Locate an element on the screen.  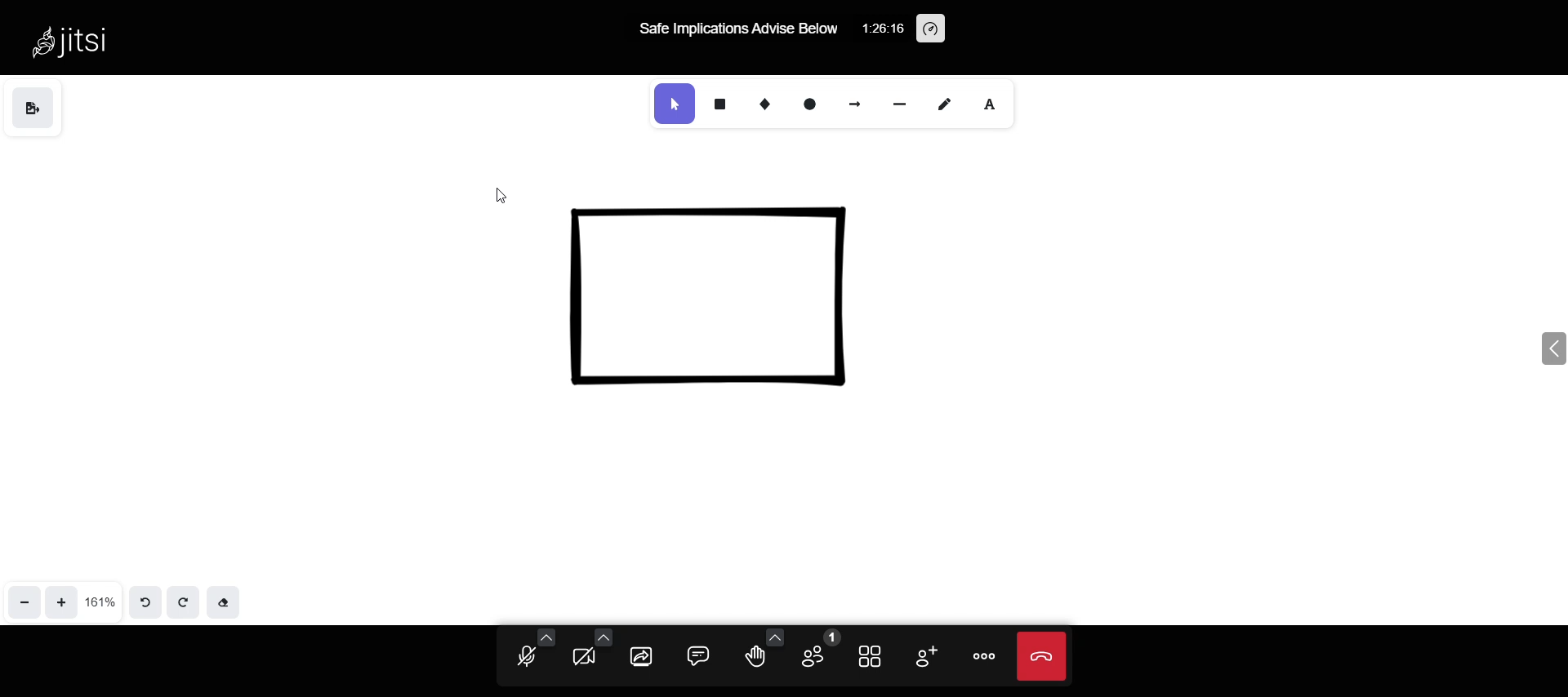
performance setting is located at coordinates (941, 29).